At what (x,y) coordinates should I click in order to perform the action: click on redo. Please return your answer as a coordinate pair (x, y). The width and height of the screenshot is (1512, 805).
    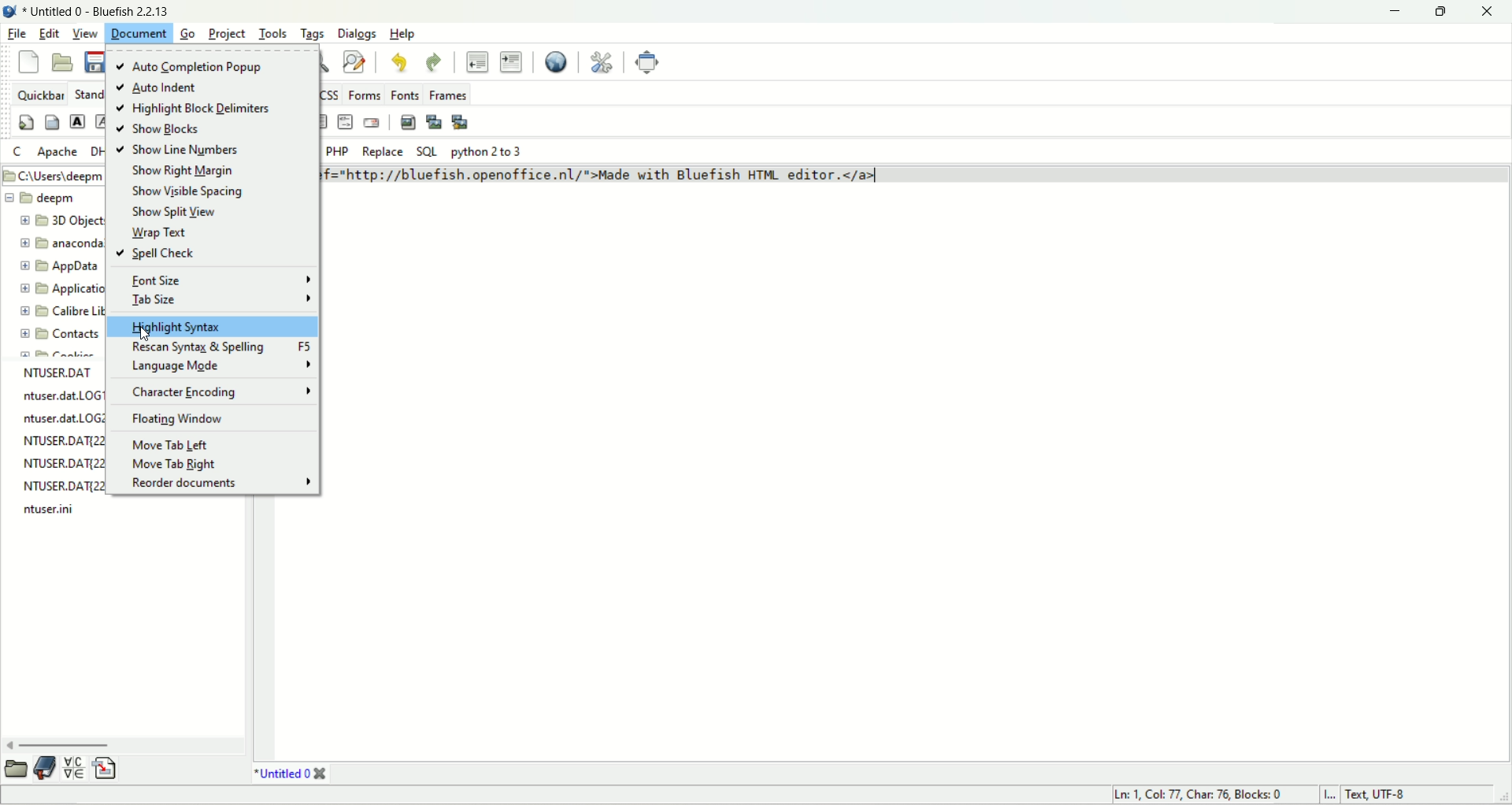
    Looking at the image, I should click on (436, 63).